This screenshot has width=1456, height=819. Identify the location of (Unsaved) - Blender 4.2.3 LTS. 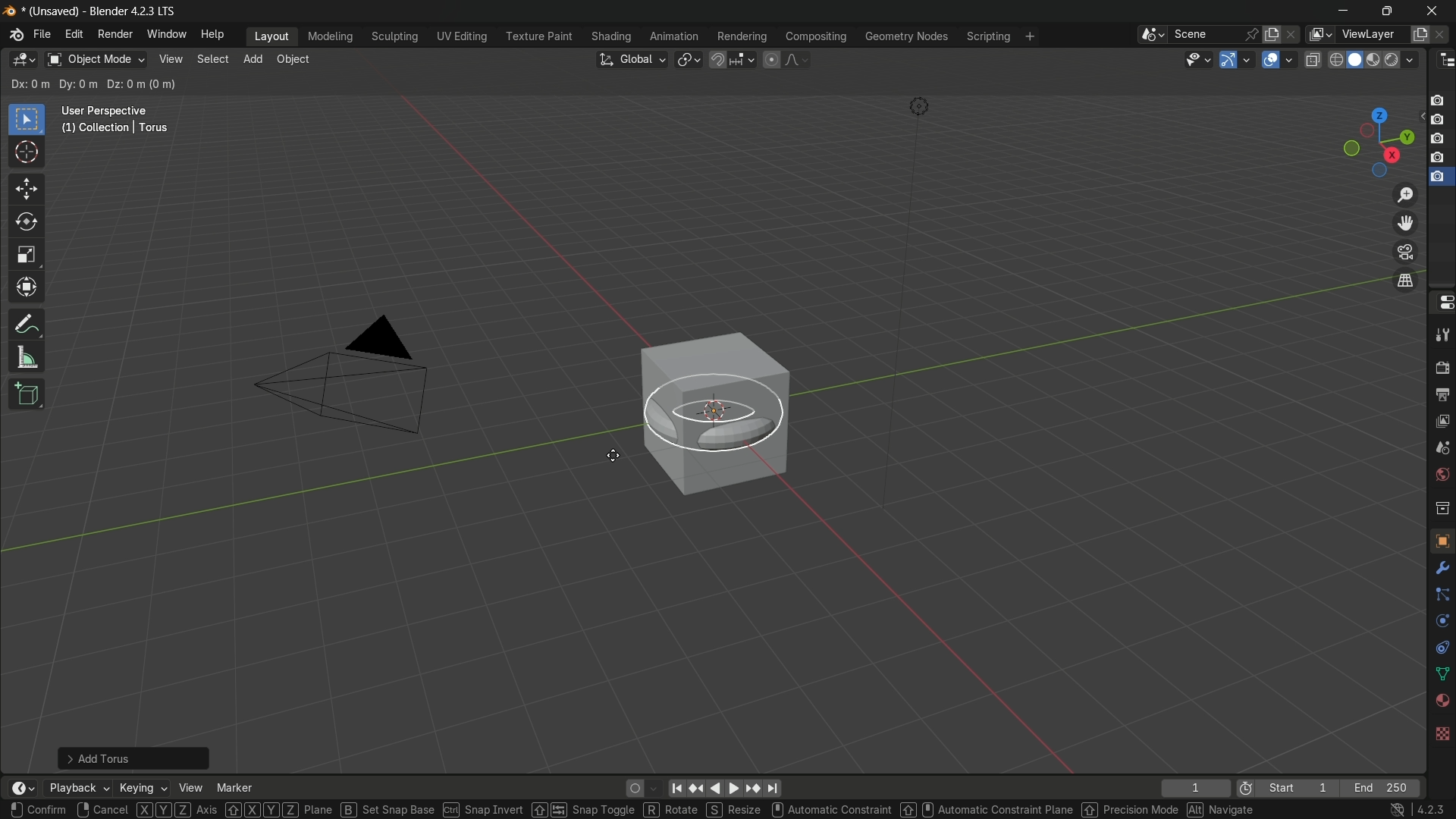
(97, 12).